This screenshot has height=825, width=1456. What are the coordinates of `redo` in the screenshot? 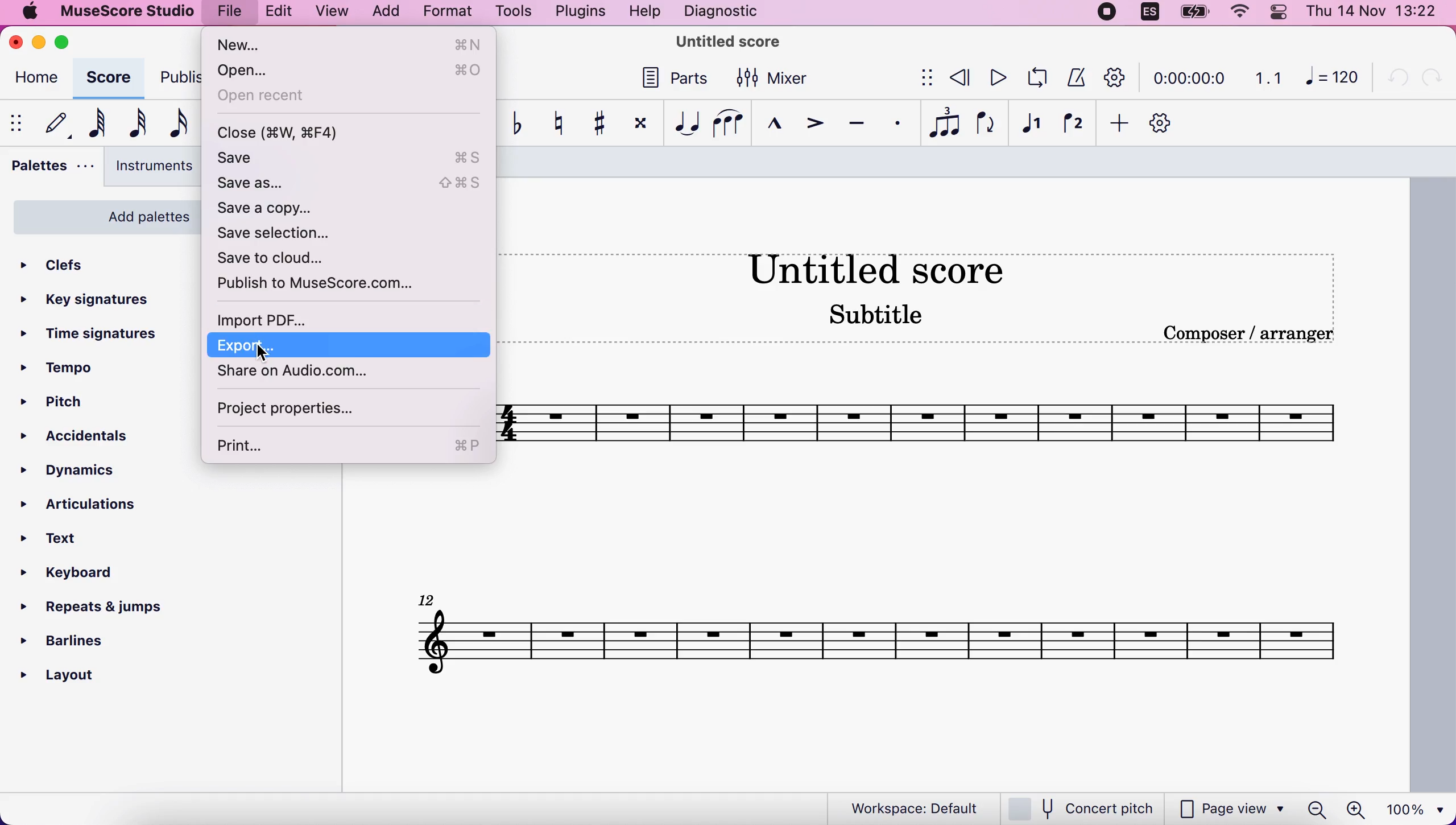 It's located at (1432, 81).